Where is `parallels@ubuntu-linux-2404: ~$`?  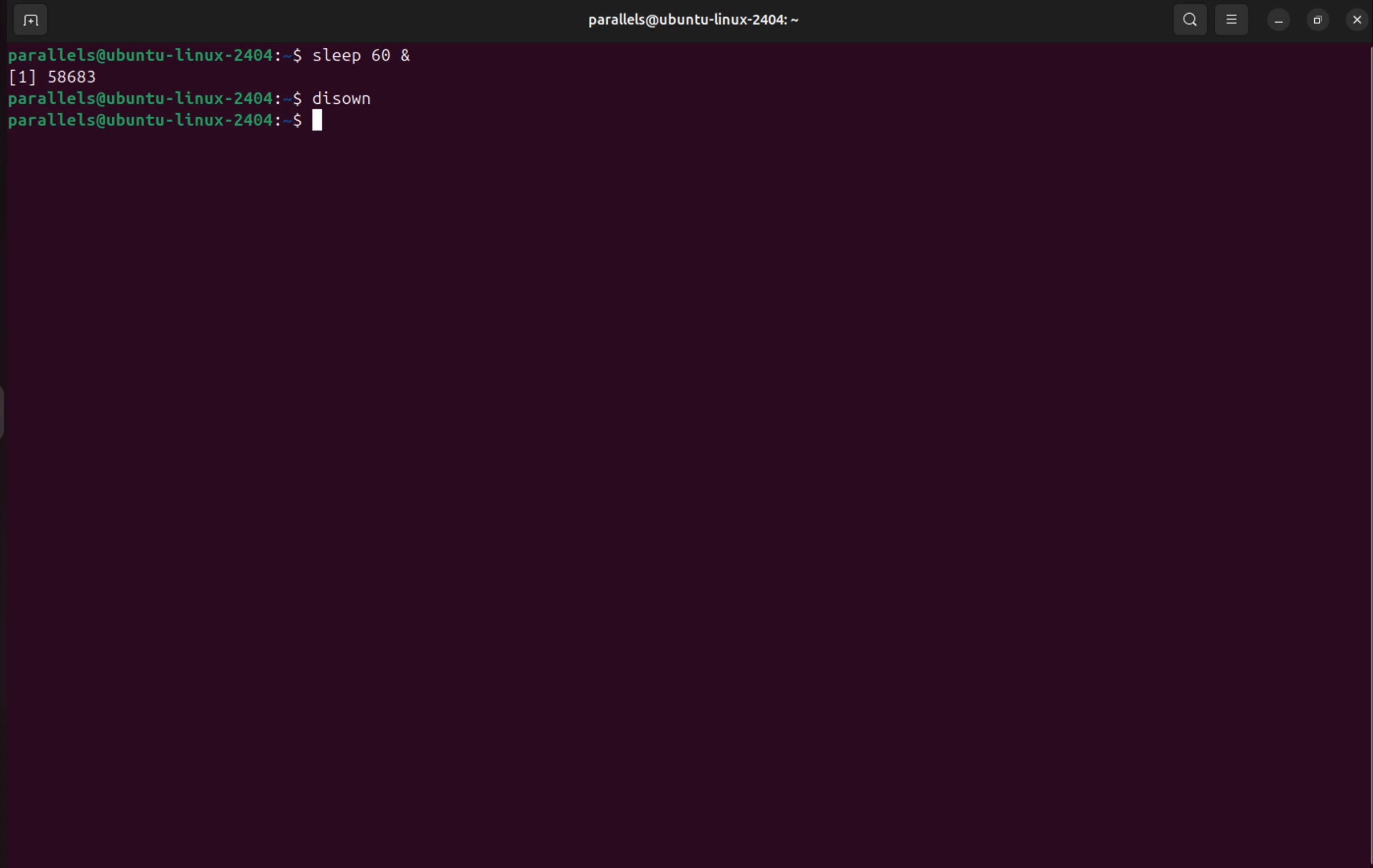
parallels@ubuntu-linux-2404: ~$ is located at coordinates (156, 54).